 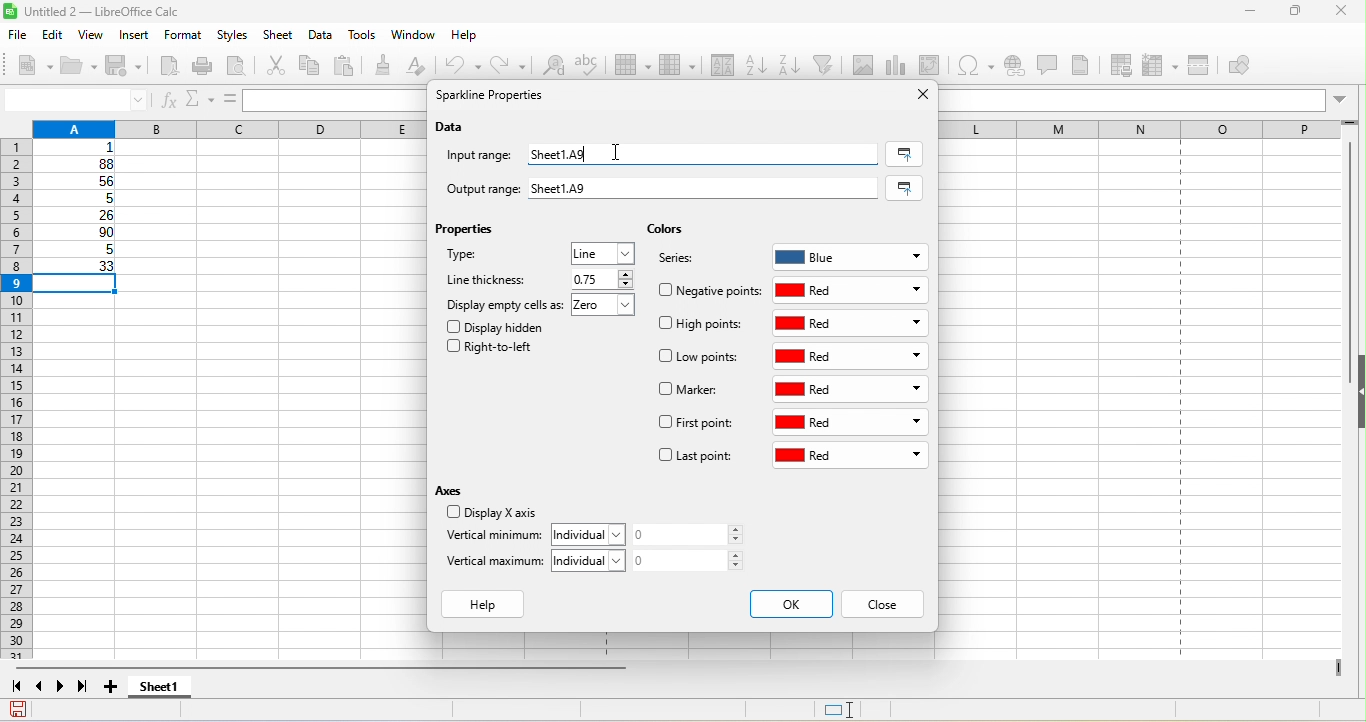 What do you see at coordinates (904, 154) in the screenshot?
I see `selected range` at bounding box center [904, 154].